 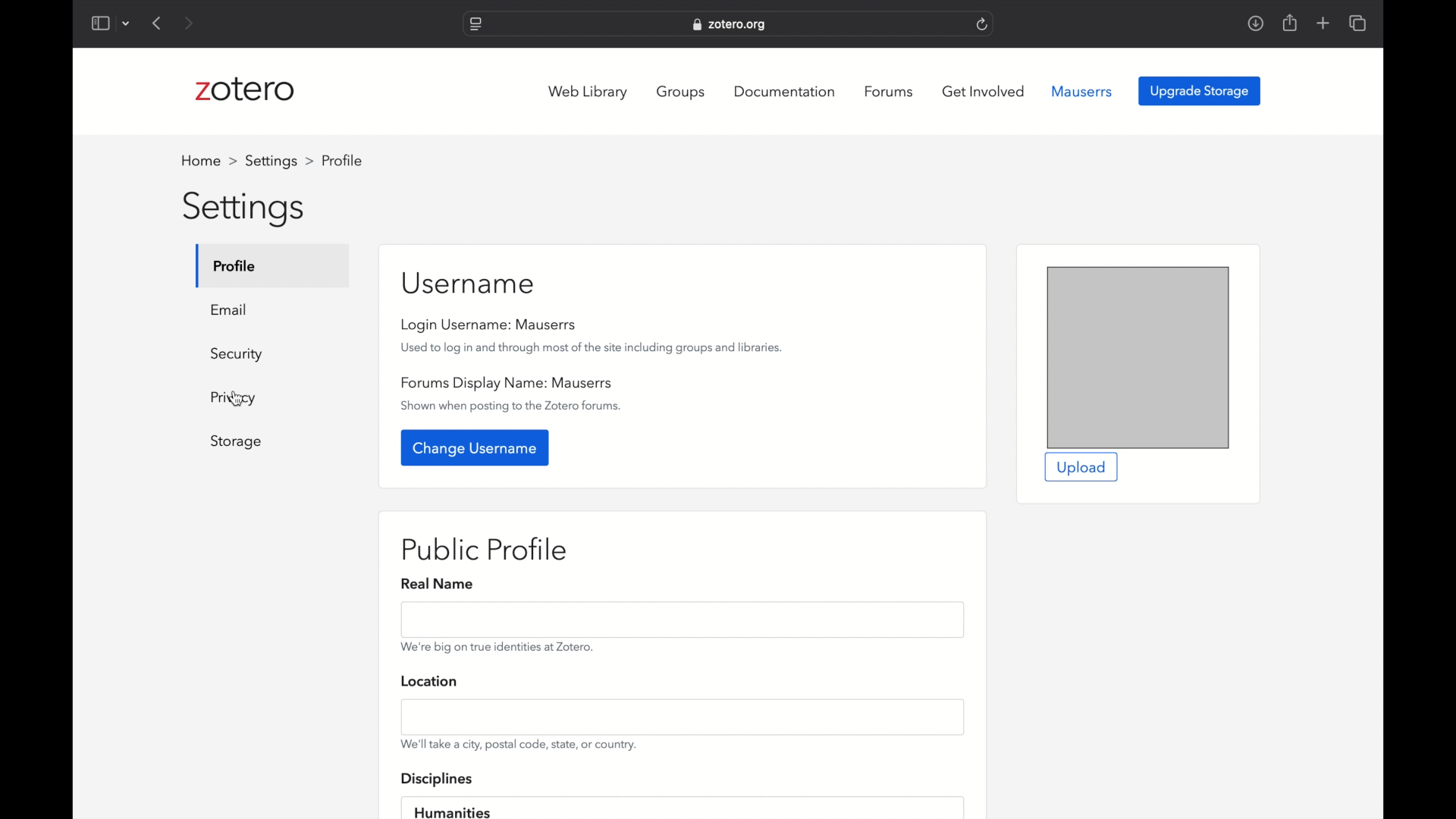 I want to click on privacy, so click(x=235, y=399).